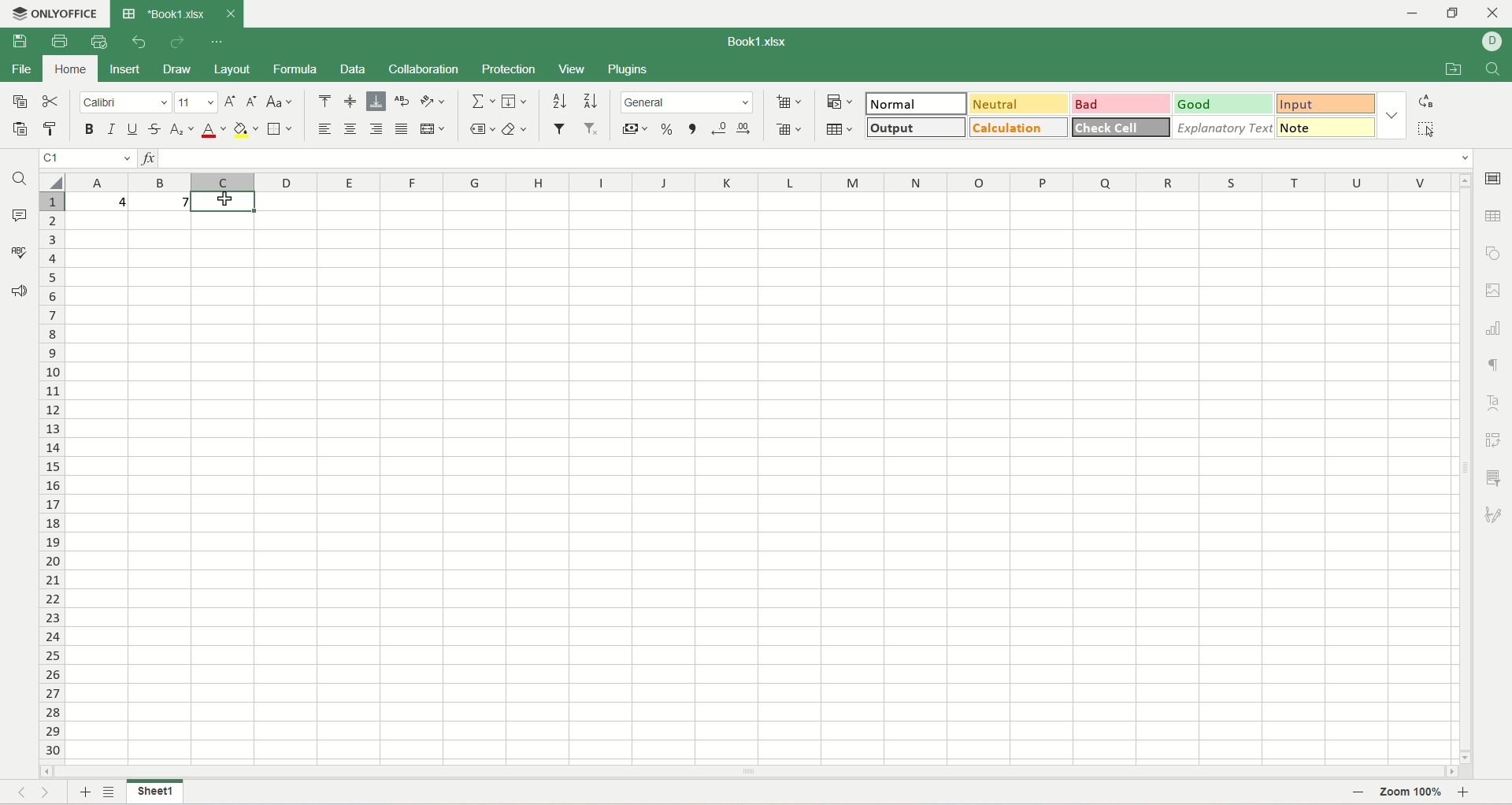 The height and width of the screenshot is (805, 1512). What do you see at coordinates (88, 159) in the screenshot?
I see `cell position` at bounding box center [88, 159].